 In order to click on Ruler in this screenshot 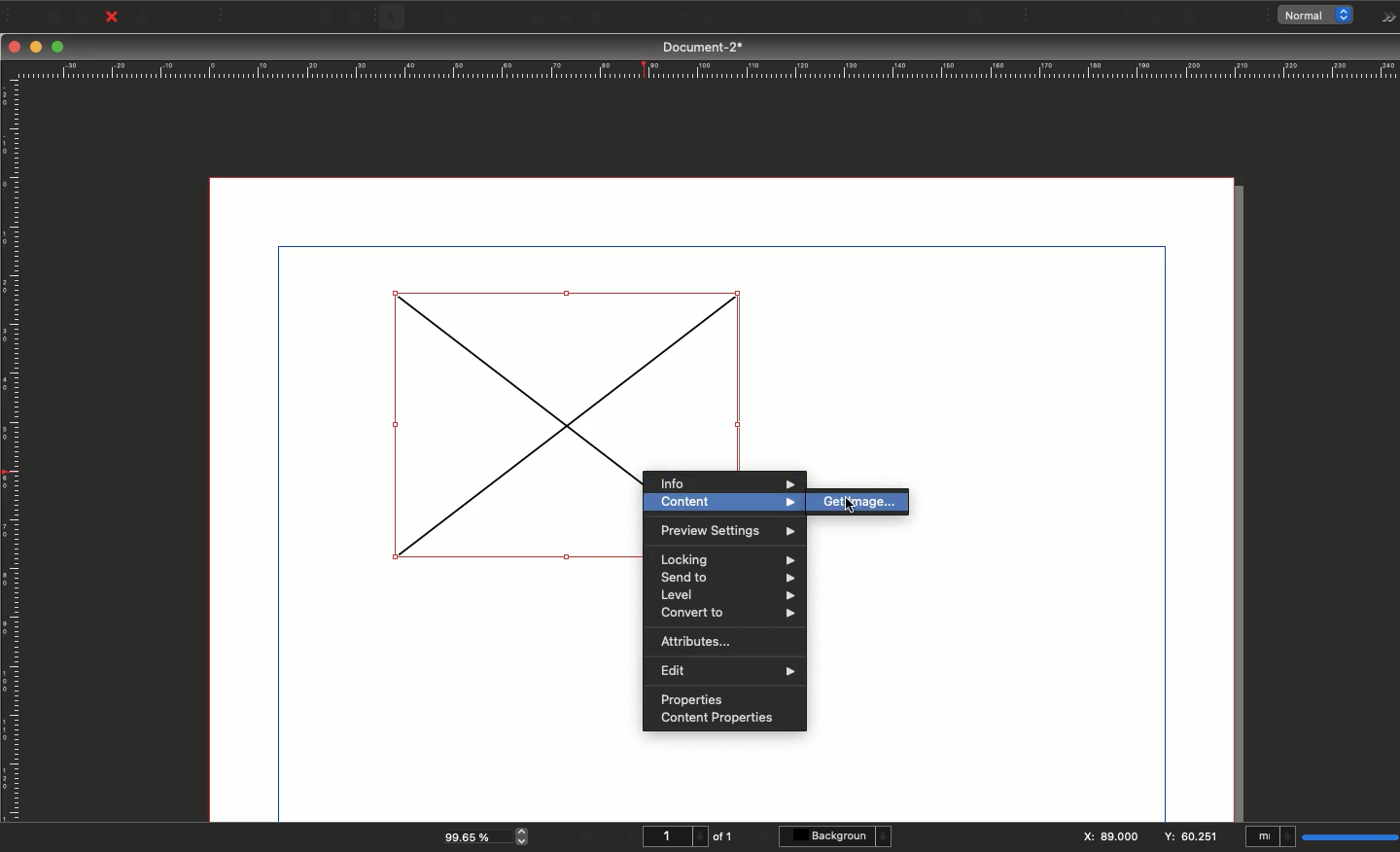, I will do `click(13, 451)`.